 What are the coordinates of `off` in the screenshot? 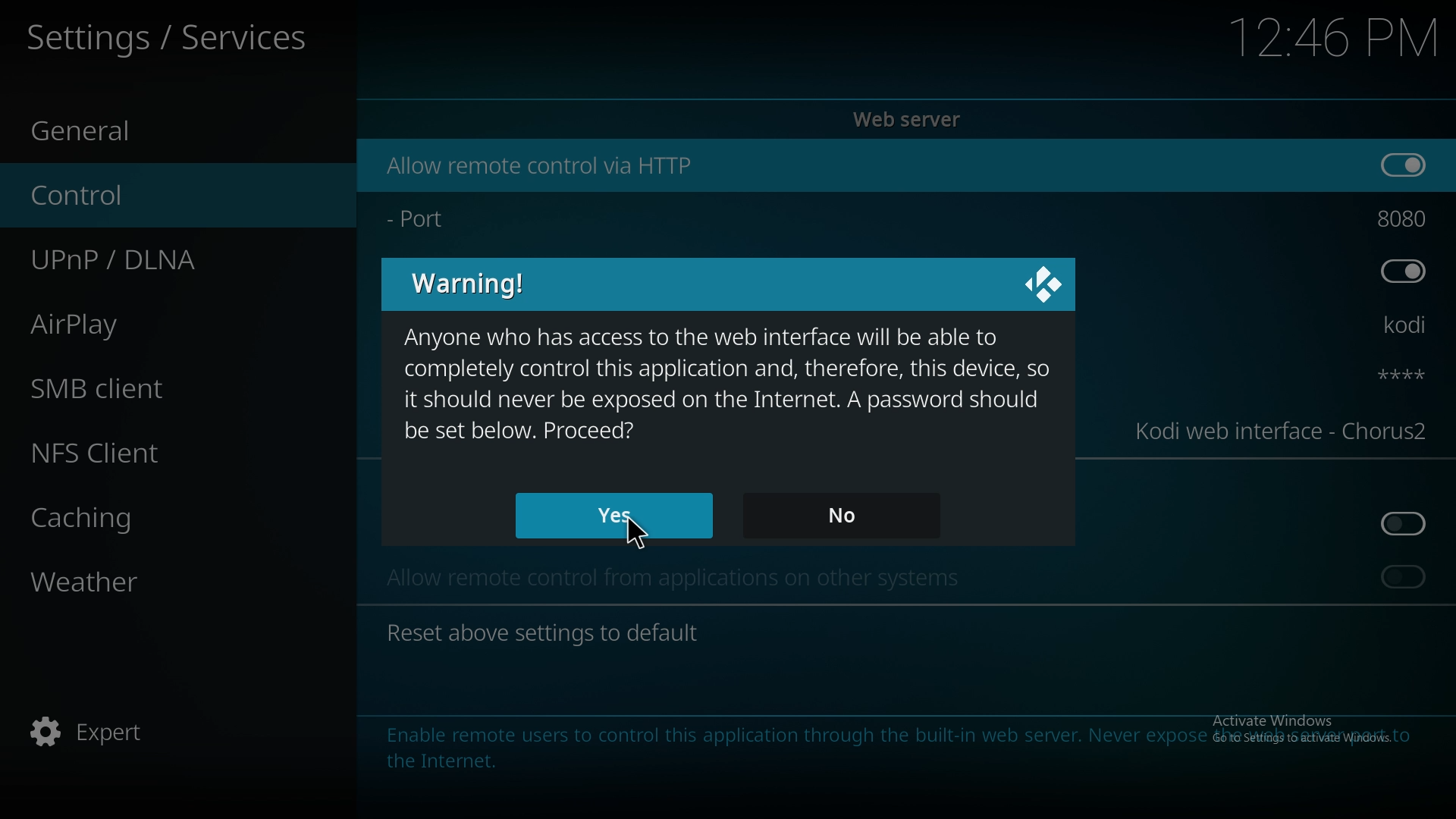 It's located at (1406, 524).